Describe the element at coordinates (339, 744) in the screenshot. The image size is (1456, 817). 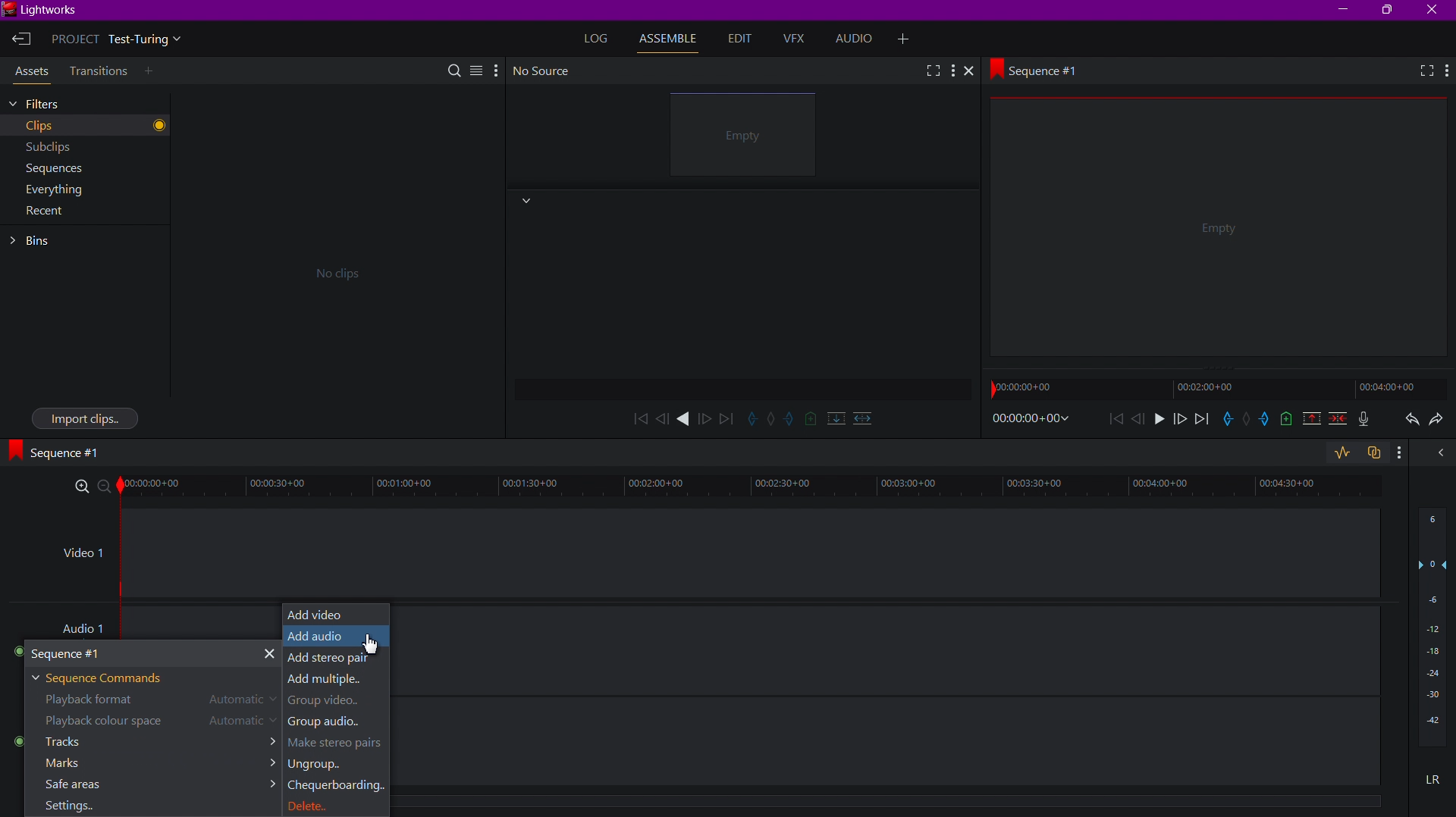
I see `Make stereo pairs` at that location.